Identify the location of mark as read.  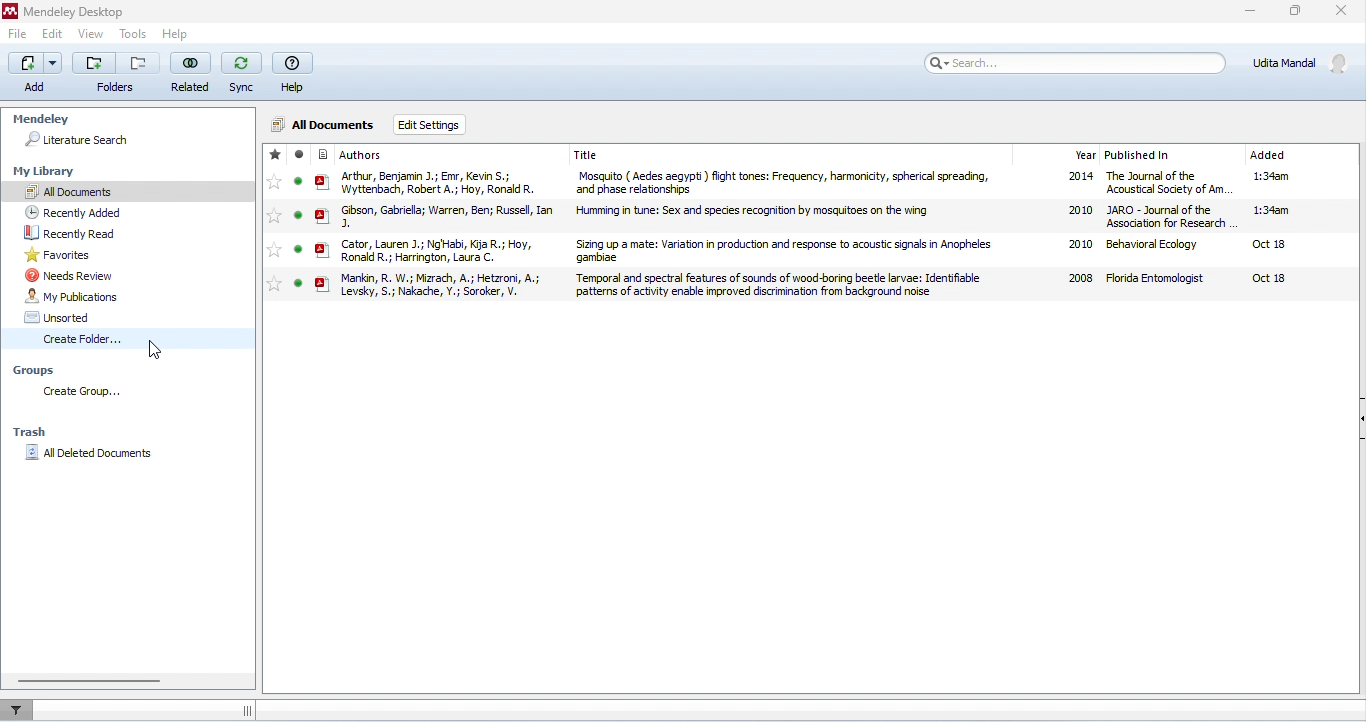
(298, 249).